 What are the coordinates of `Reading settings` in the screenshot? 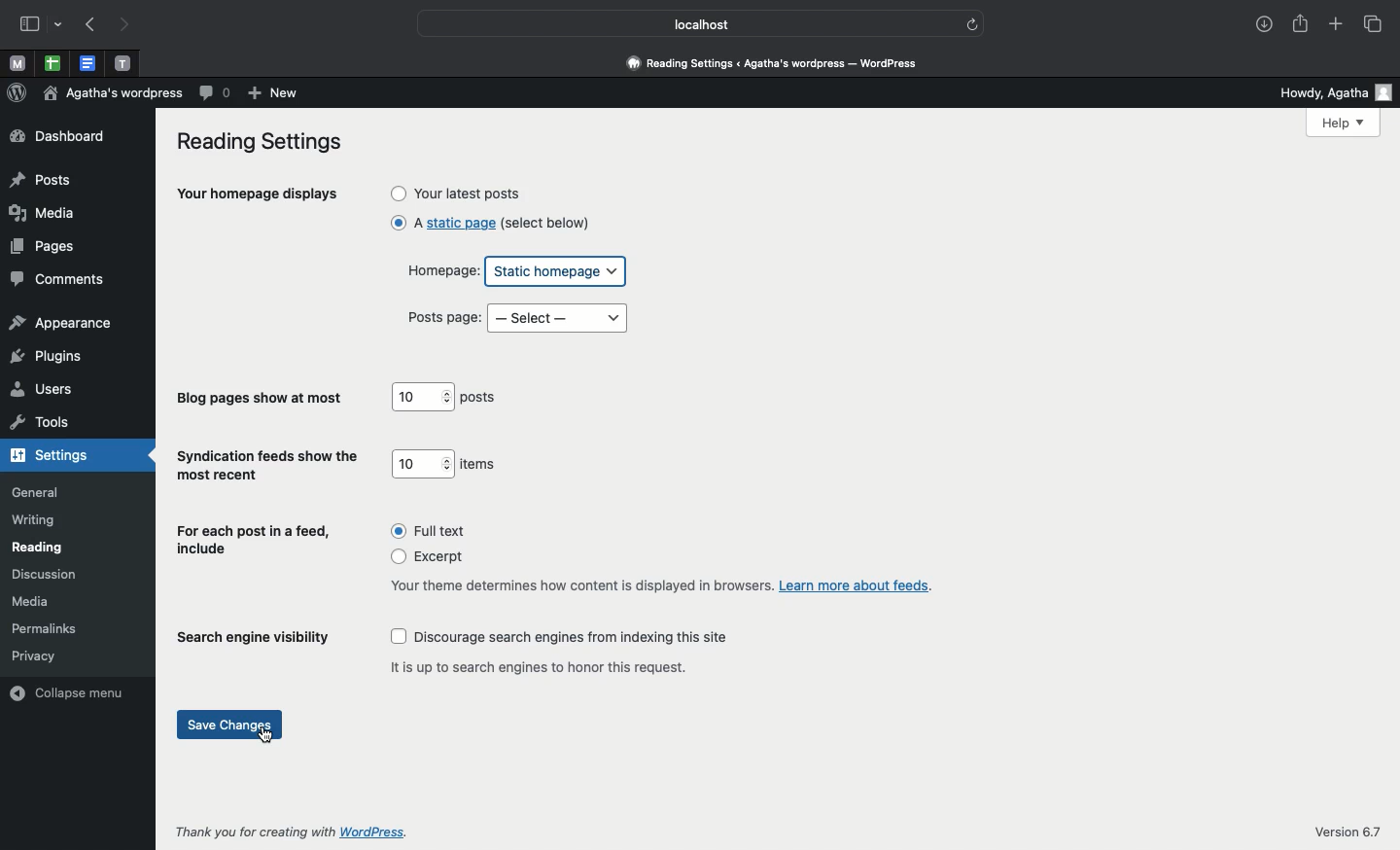 It's located at (264, 143).